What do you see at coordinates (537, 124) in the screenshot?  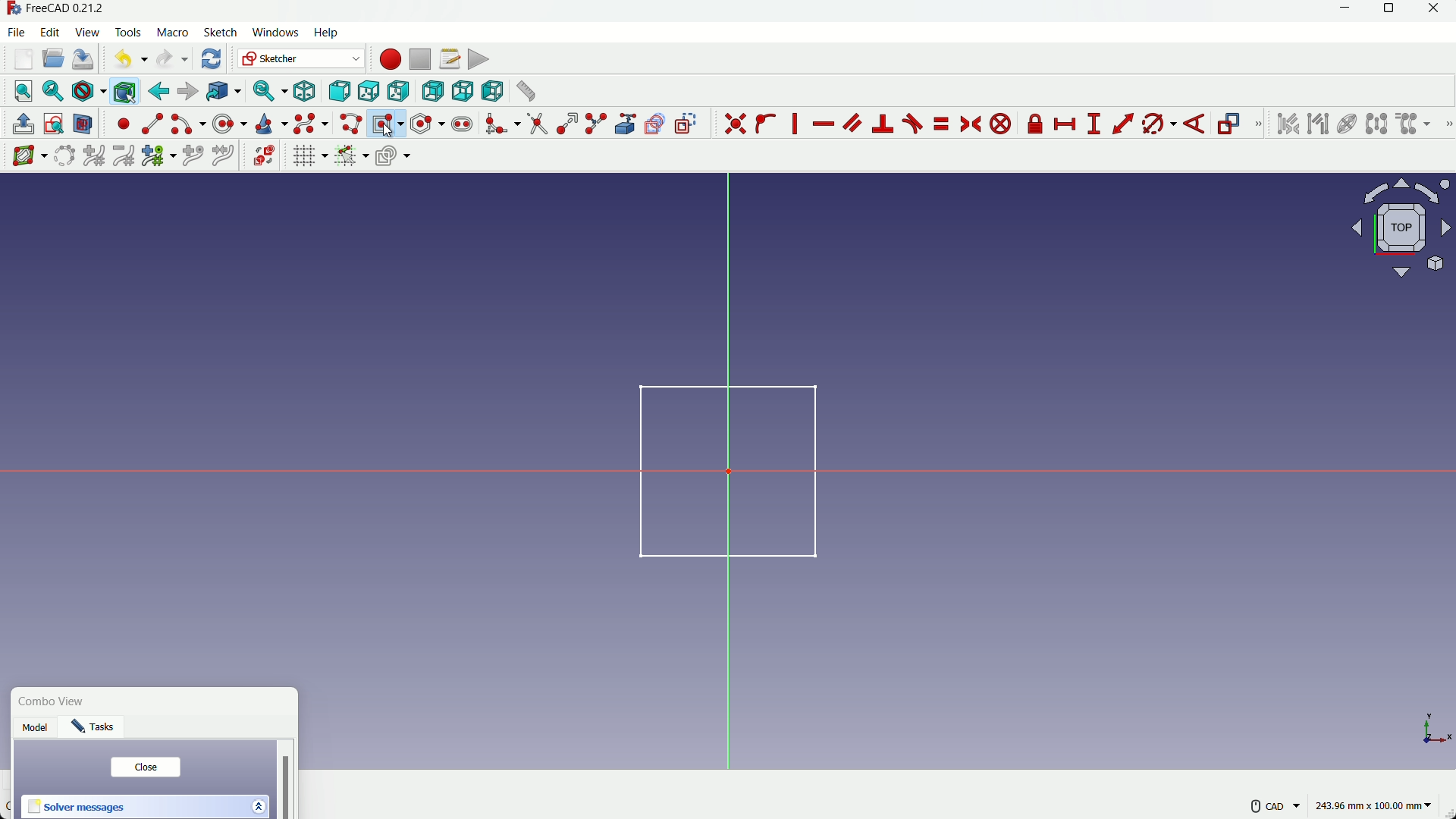 I see `trim edges` at bounding box center [537, 124].